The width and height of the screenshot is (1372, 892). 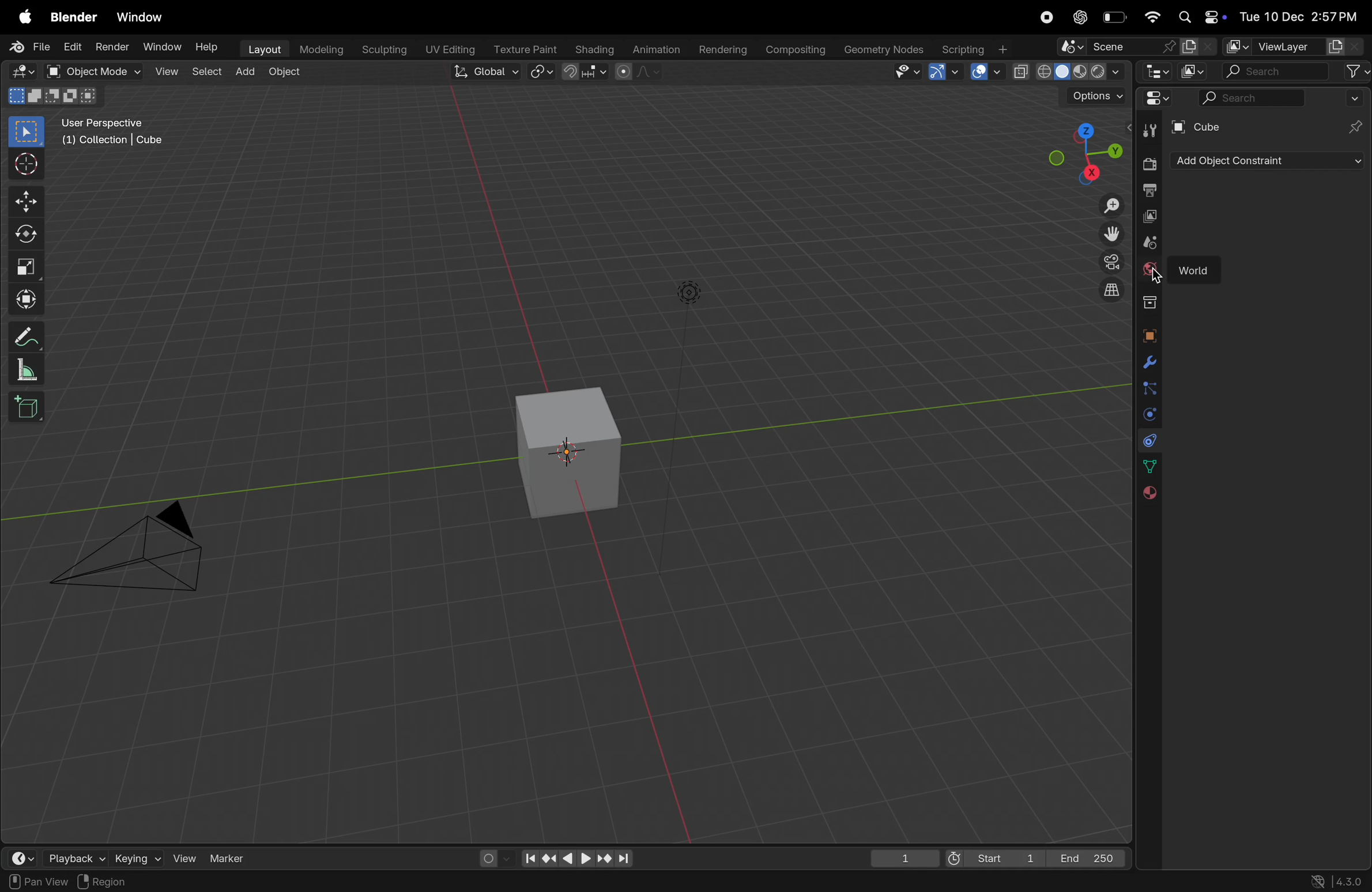 I want to click on camera, so click(x=1108, y=262).